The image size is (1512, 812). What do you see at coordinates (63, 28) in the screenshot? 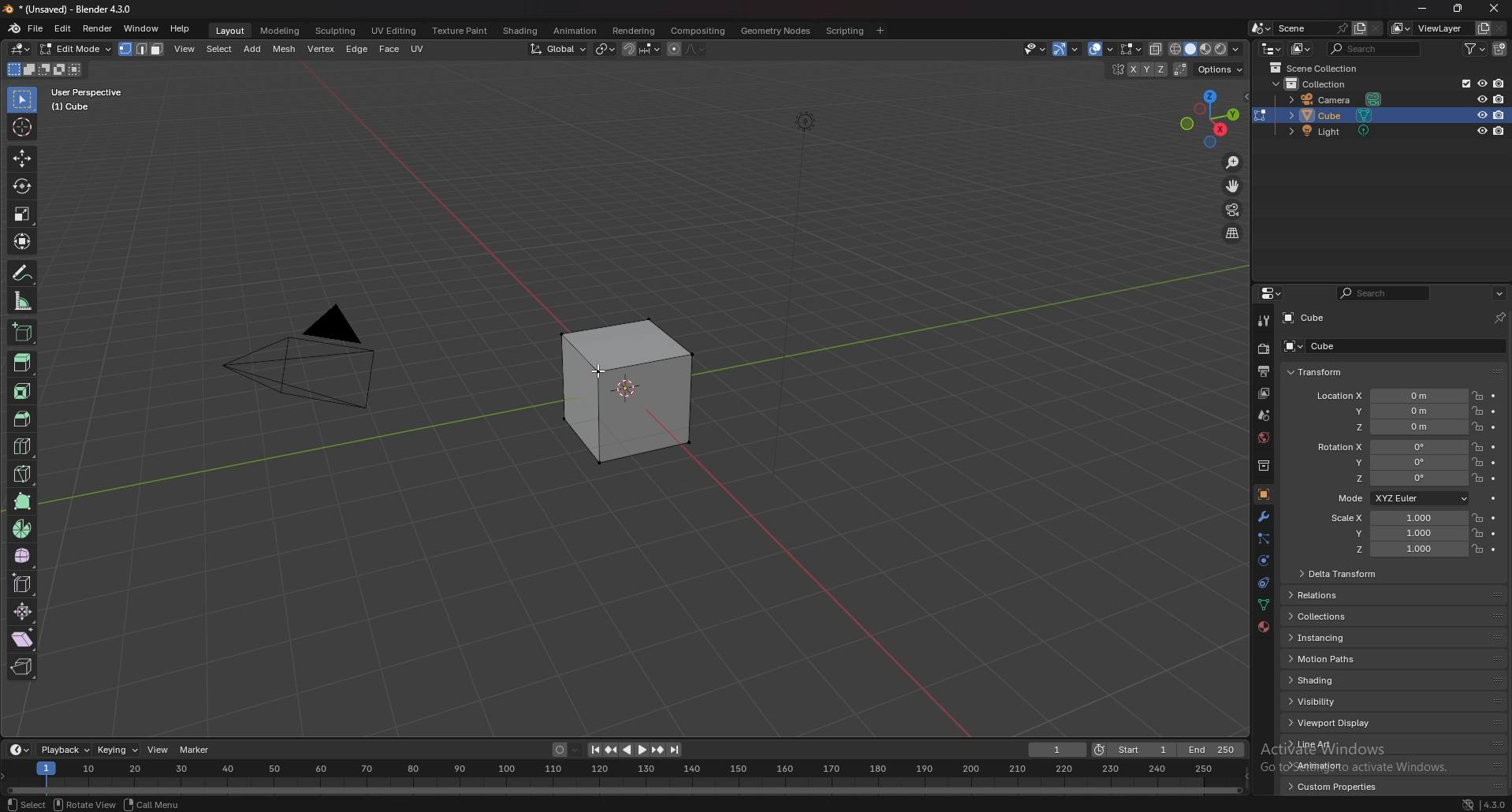
I see `edit` at bounding box center [63, 28].